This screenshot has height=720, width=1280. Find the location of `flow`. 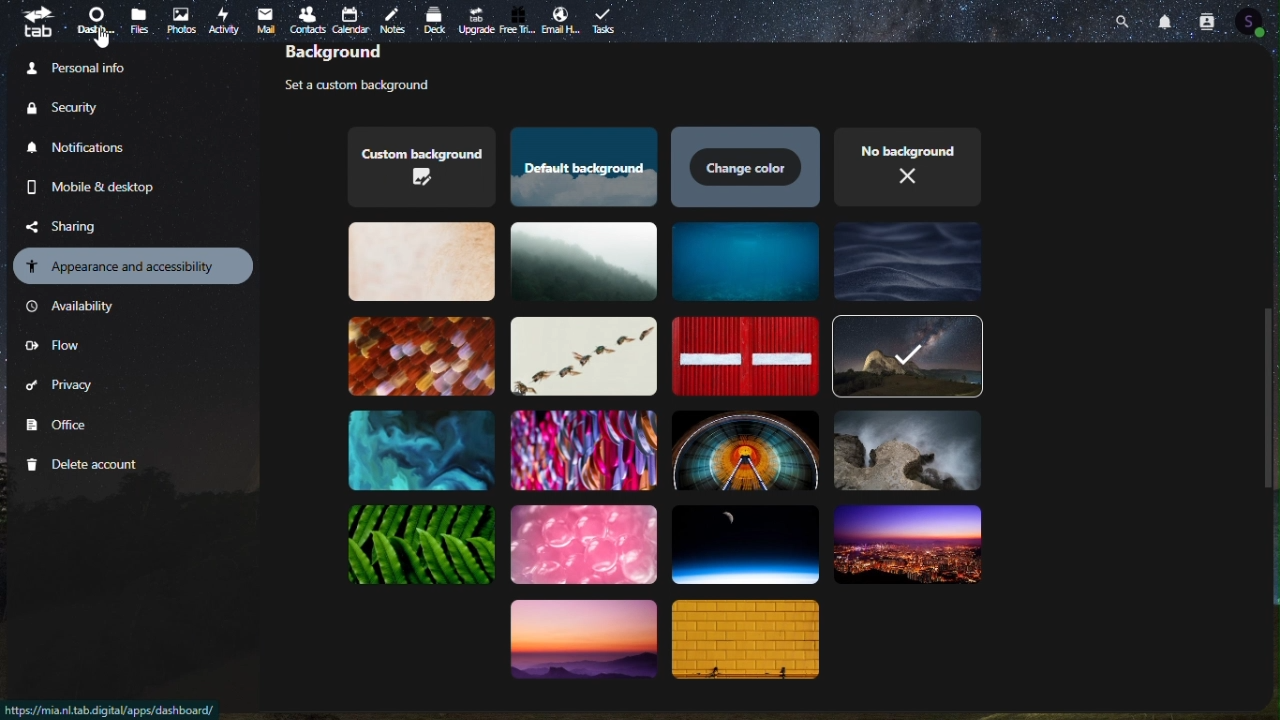

flow is located at coordinates (53, 348).